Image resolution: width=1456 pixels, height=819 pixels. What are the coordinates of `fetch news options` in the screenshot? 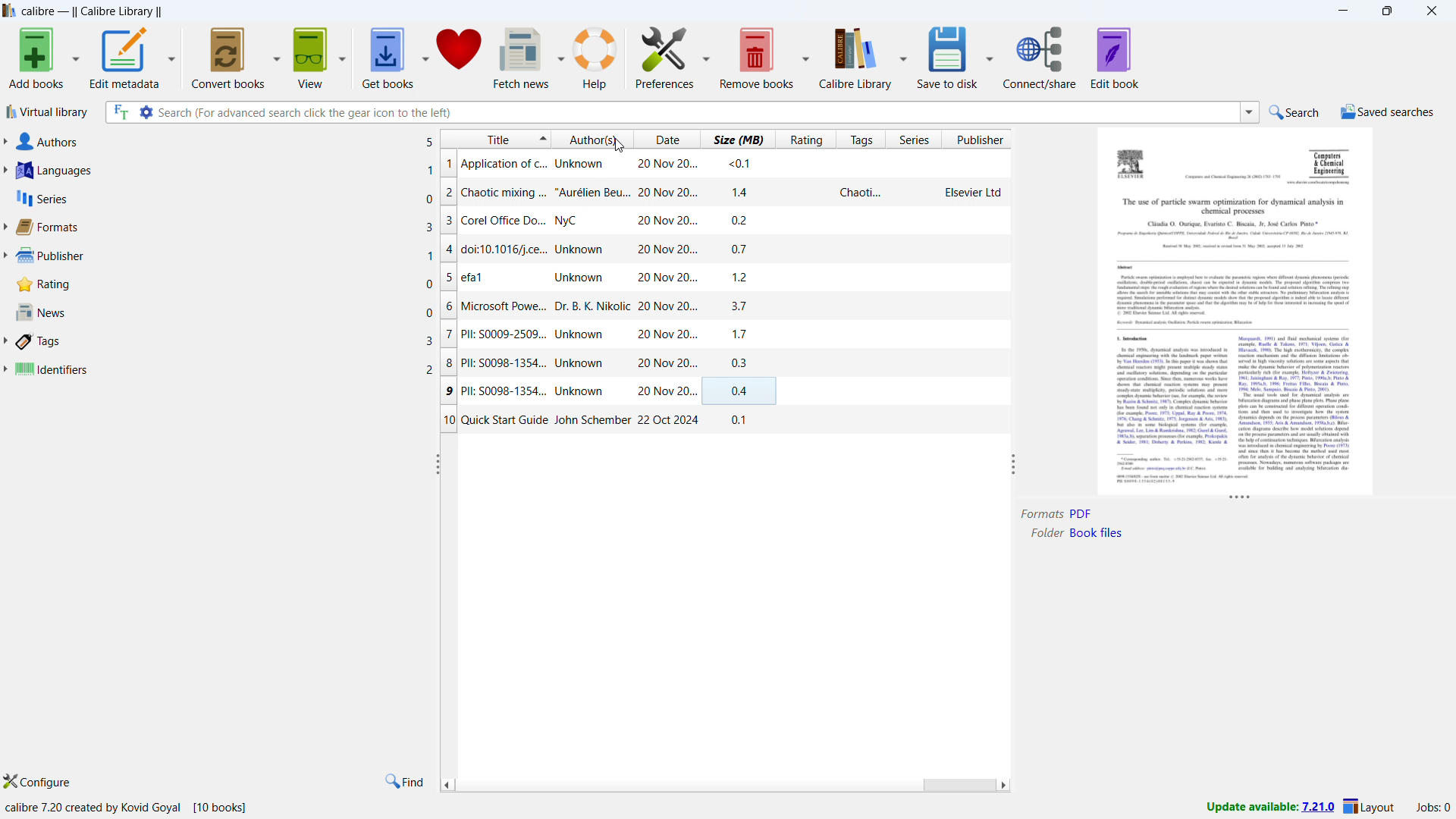 It's located at (560, 55).